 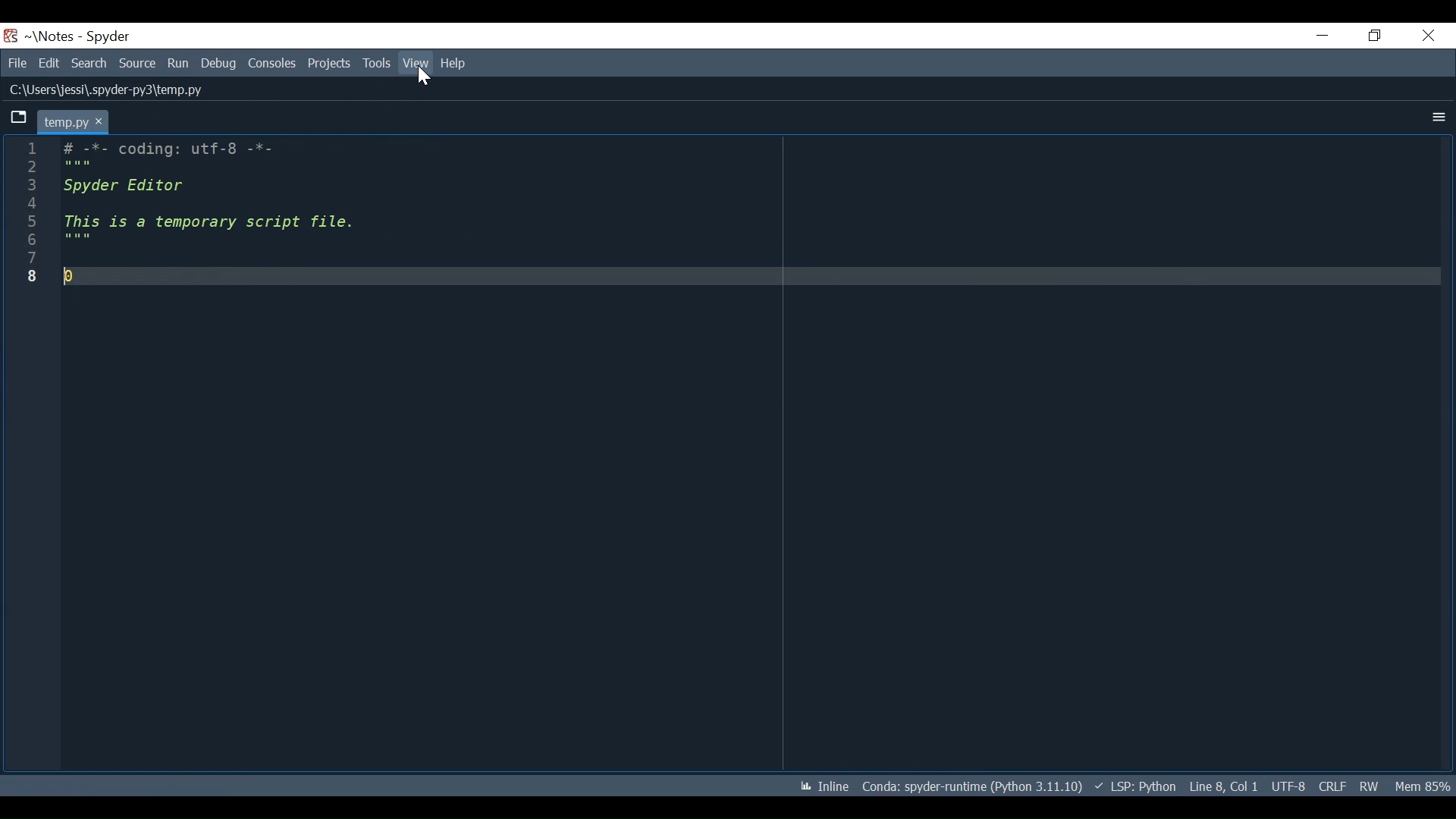 I want to click on CRLF, so click(x=1330, y=786).